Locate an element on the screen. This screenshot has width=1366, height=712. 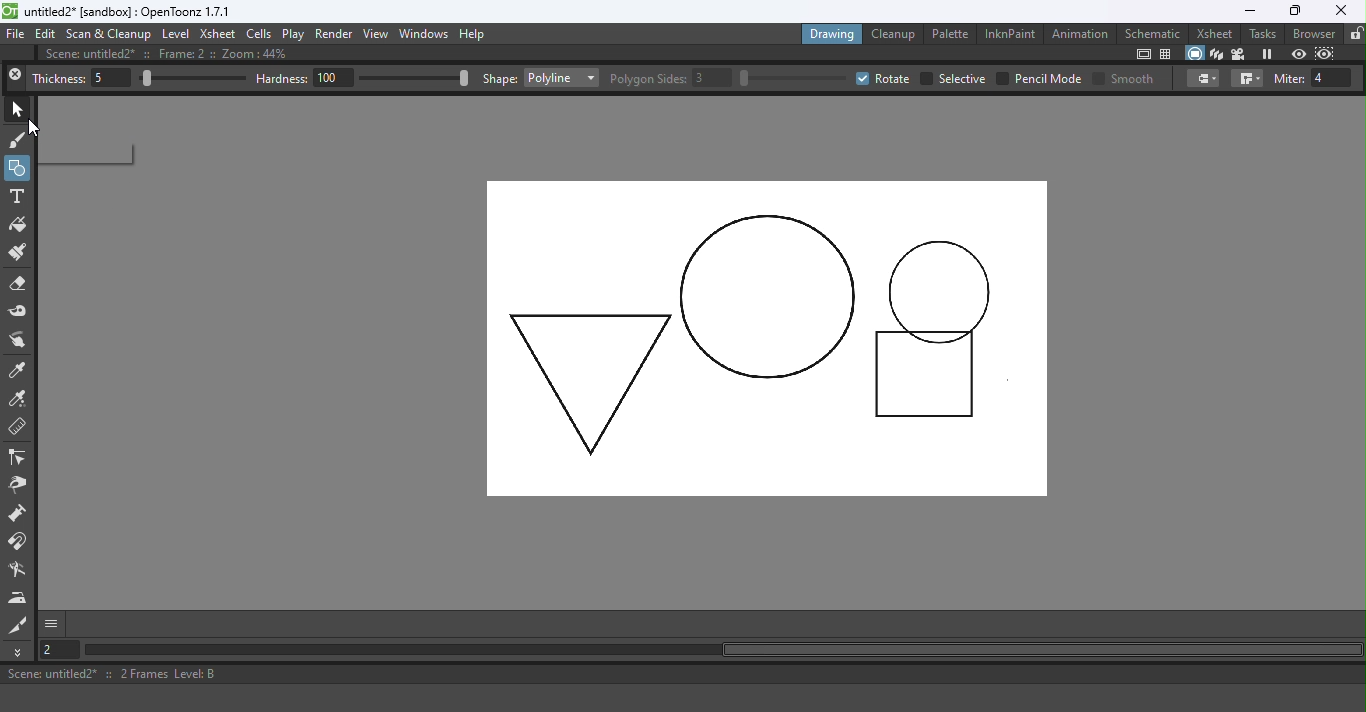
More tools is located at coordinates (20, 652).